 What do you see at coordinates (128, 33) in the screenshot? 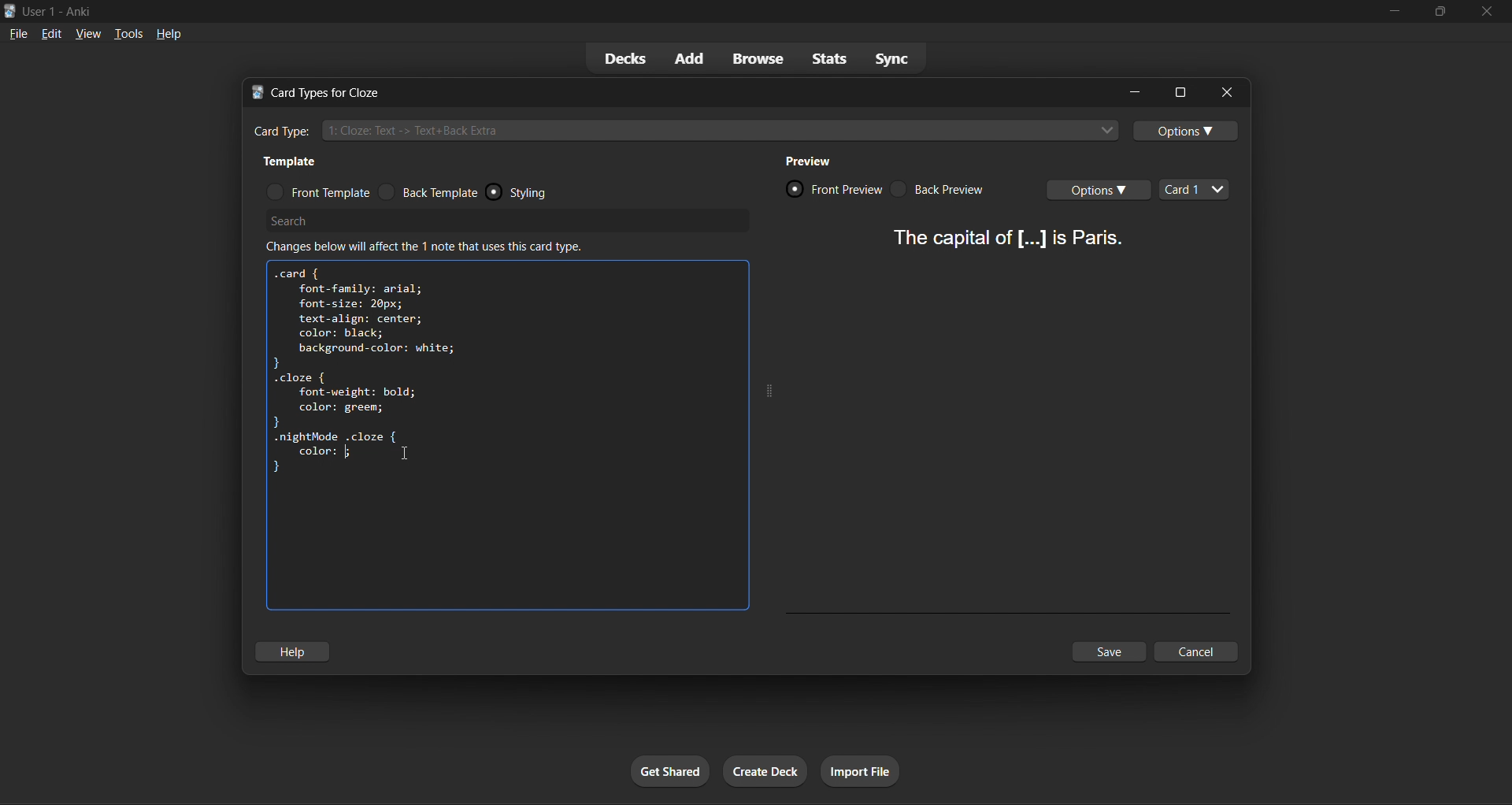
I see `tools` at bounding box center [128, 33].